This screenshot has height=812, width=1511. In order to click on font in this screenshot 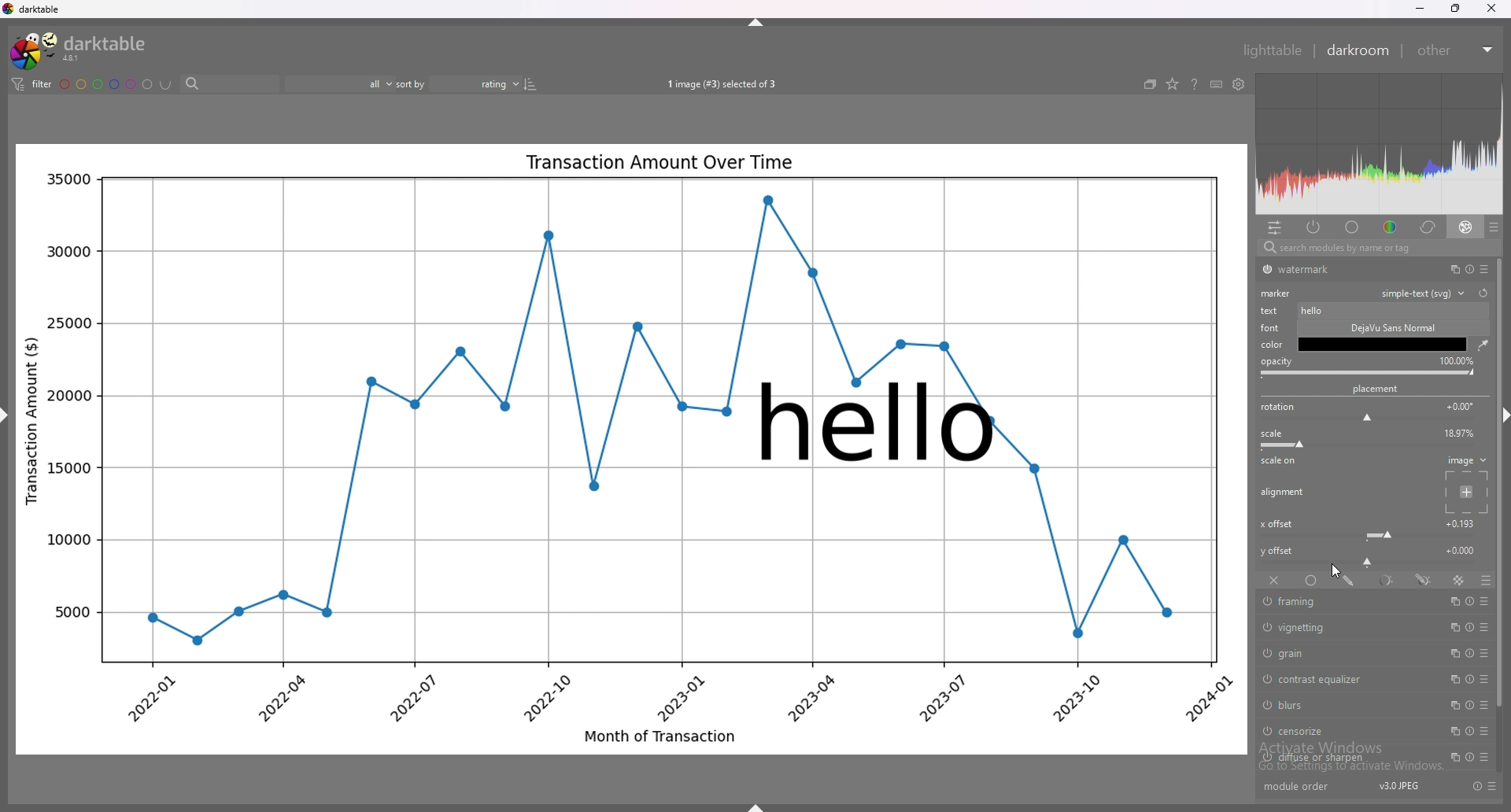, I will do `click(1272, 328)`.